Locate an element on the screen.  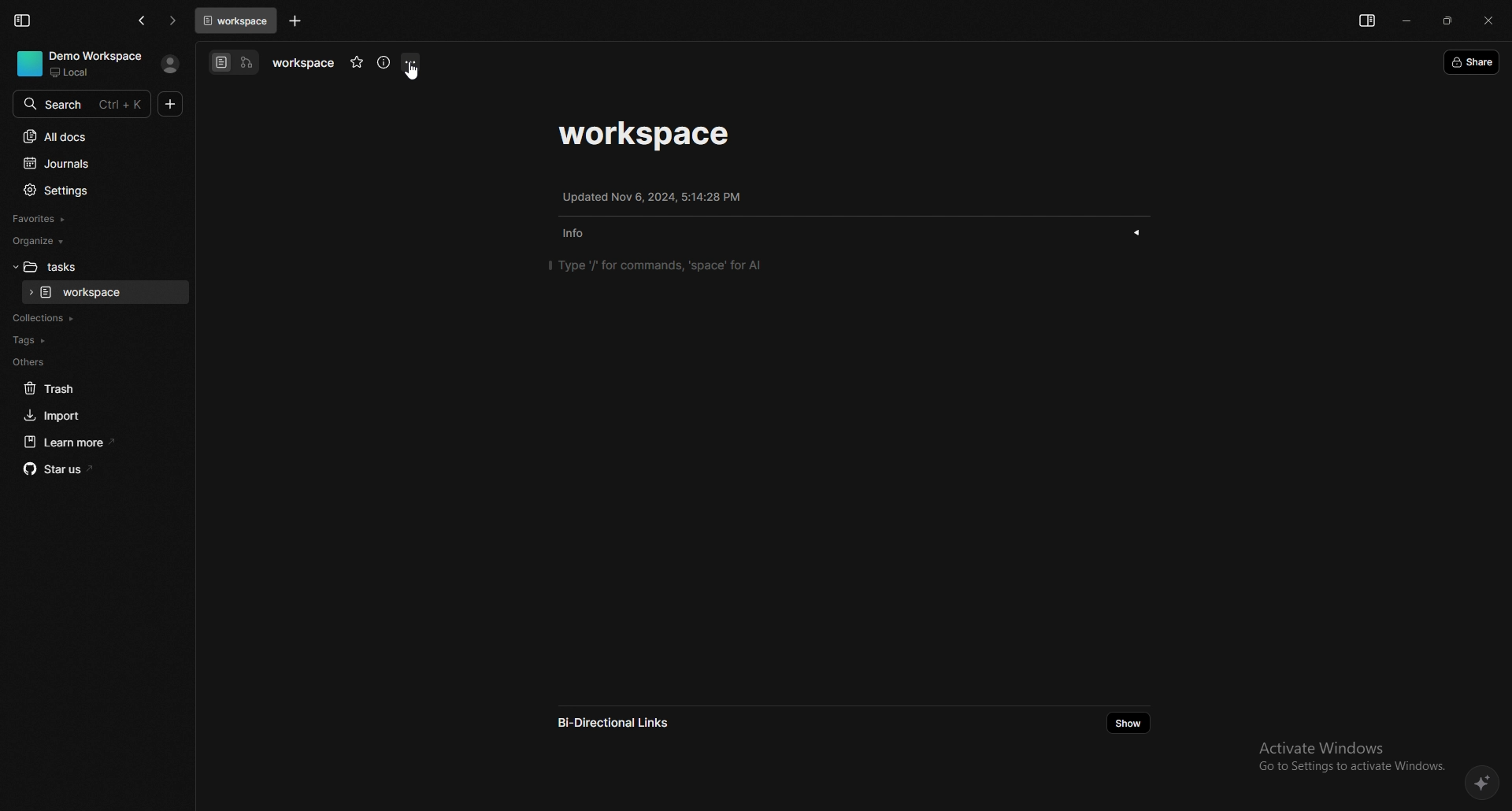
journals is located at coordinates (90, 165).